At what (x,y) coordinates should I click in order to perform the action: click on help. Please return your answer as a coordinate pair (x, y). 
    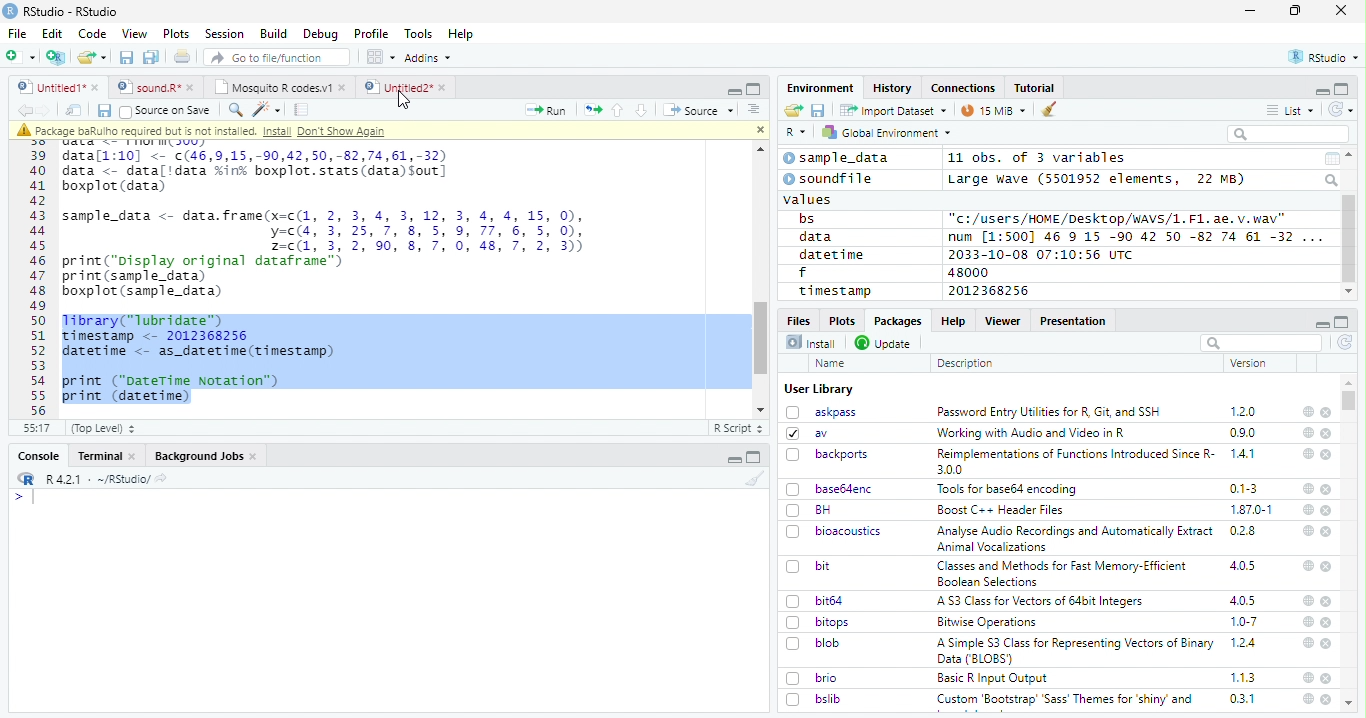
    Looking at the image, I should click on (1307, 411).